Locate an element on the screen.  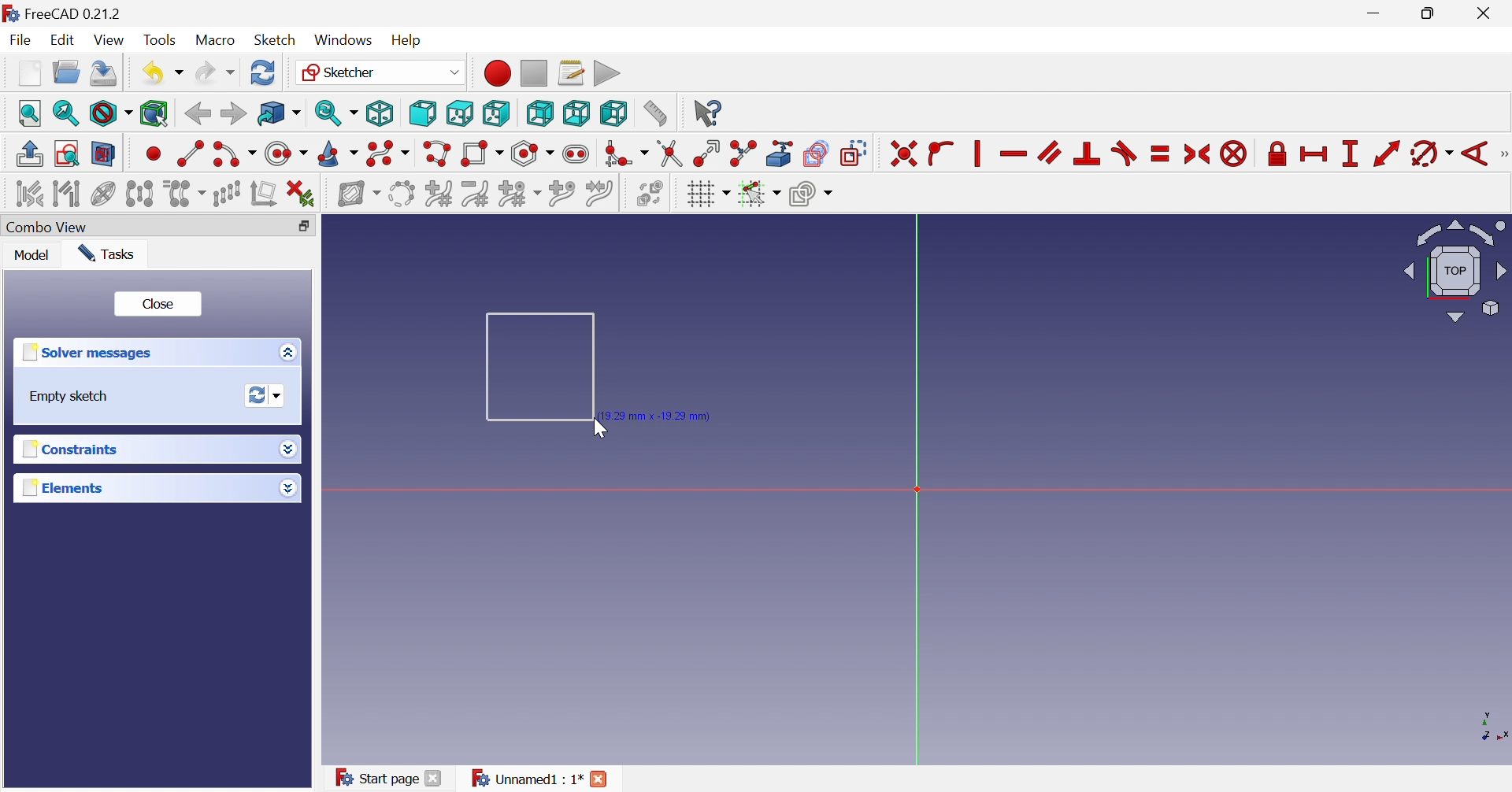
 is located at coordinates (301, 194).